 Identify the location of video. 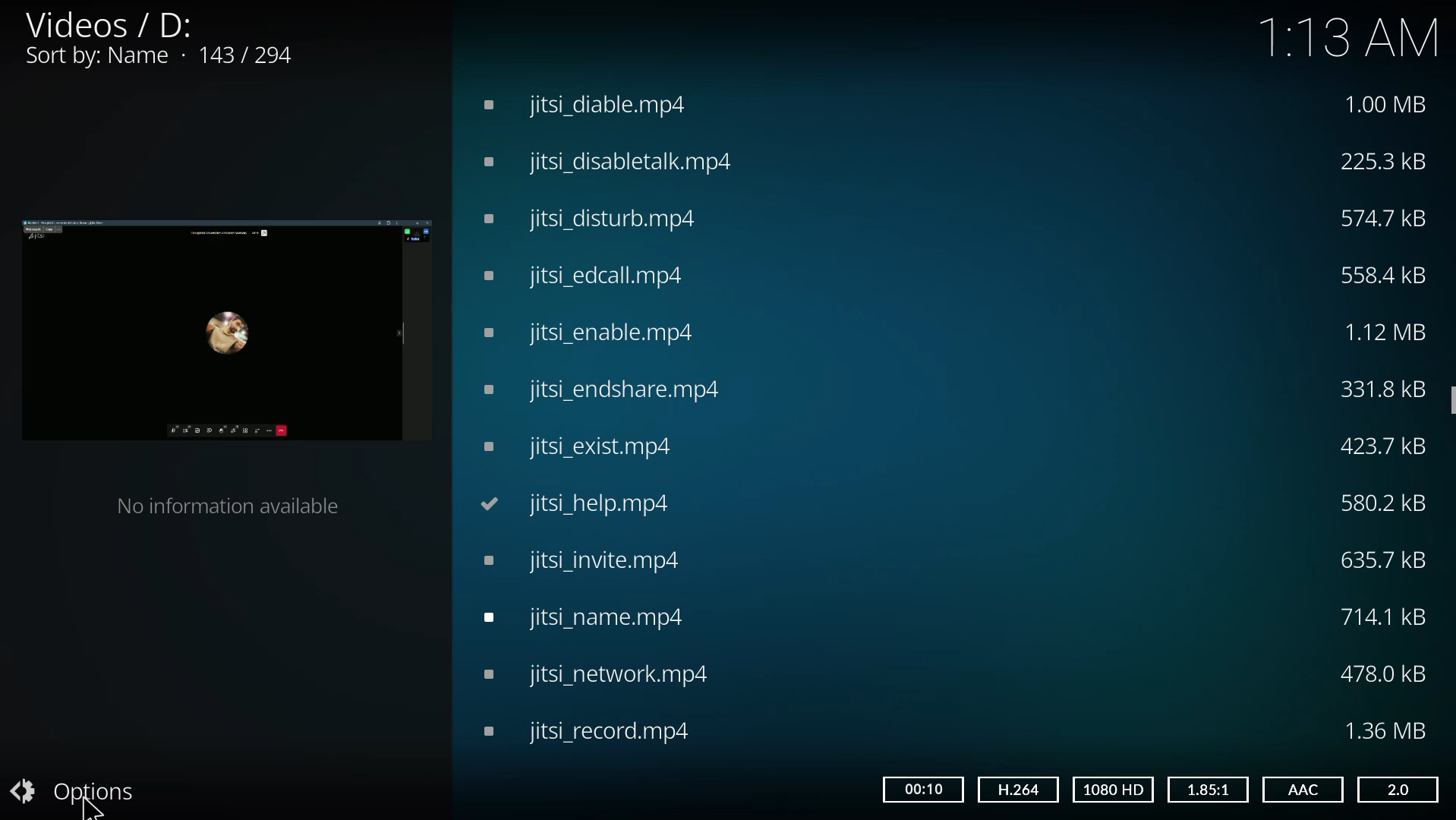
(572, 503).